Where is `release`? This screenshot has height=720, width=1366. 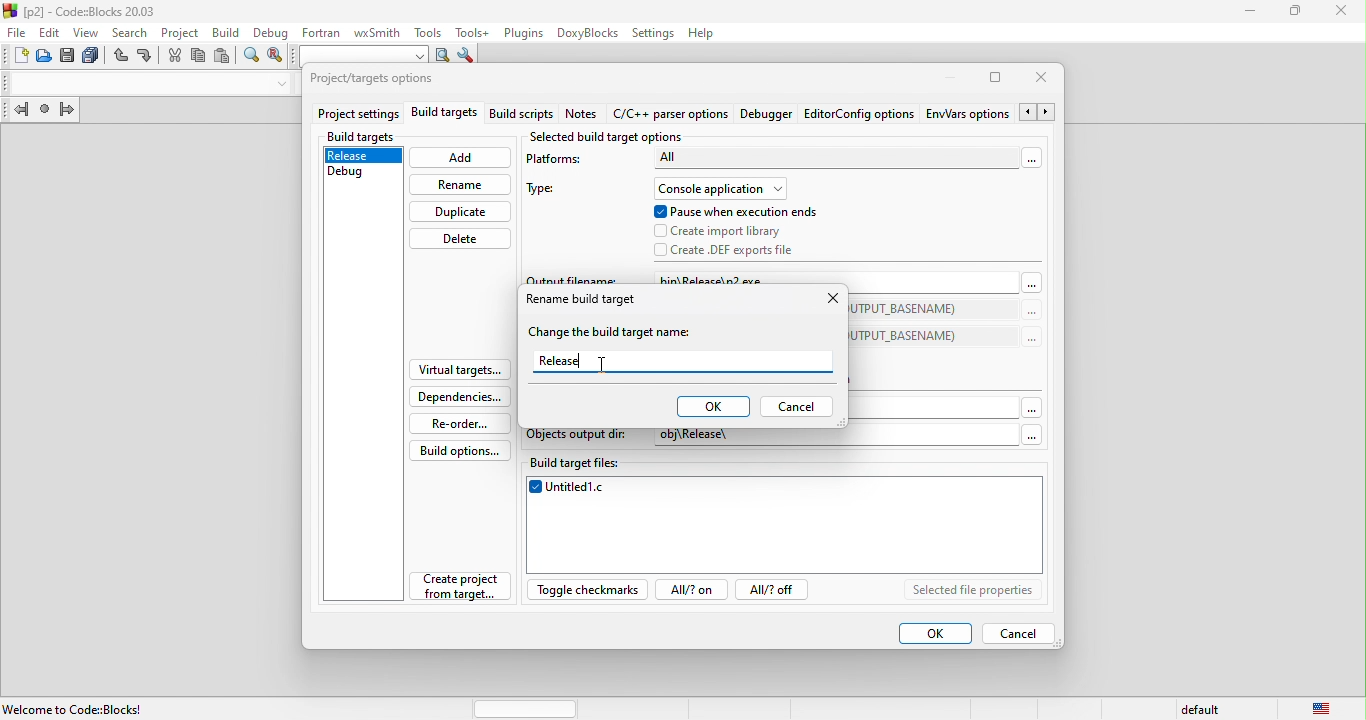
release is located at coordinates (361, 157).